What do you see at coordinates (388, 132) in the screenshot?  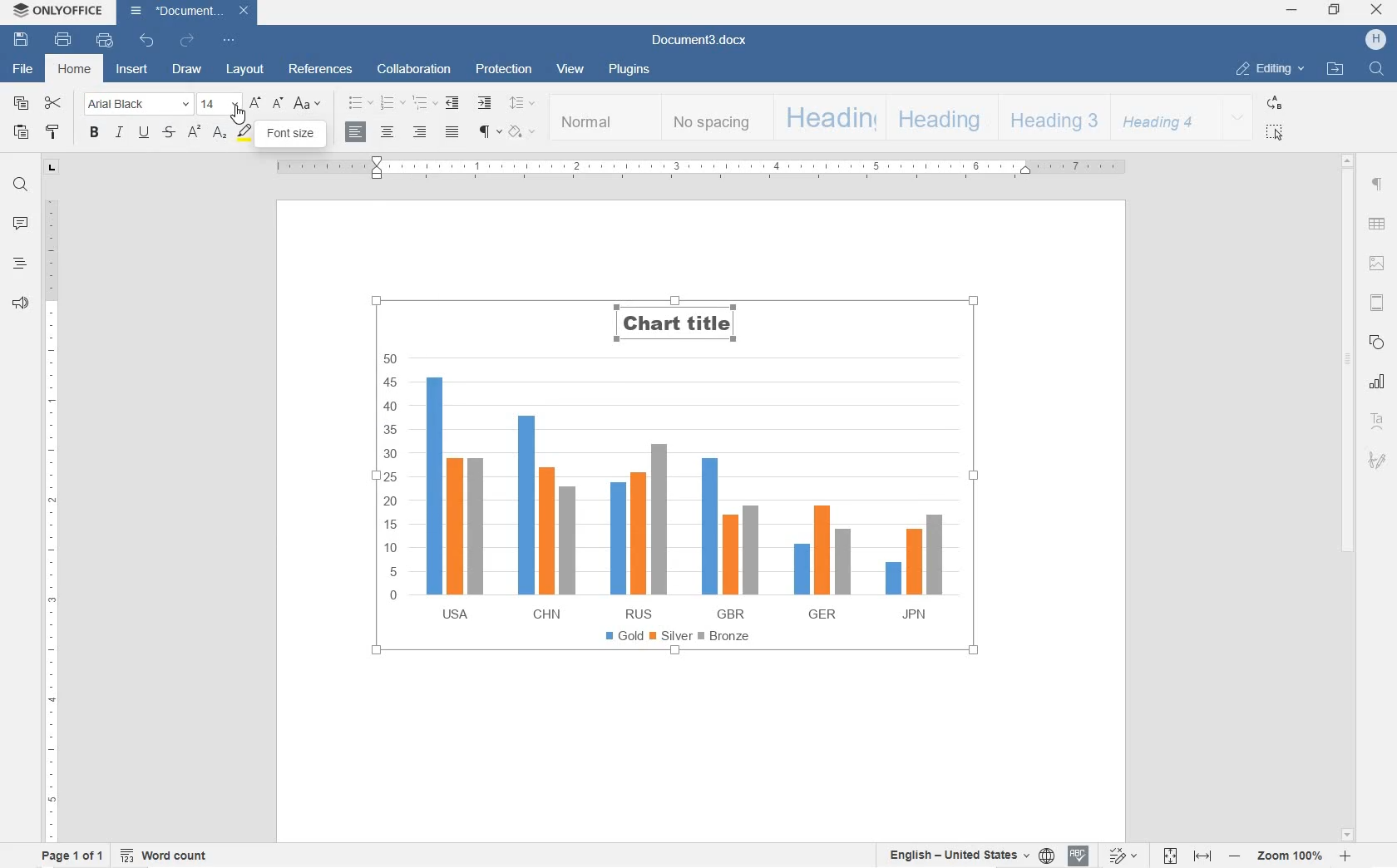 I see `CENTER ALIGN` at bounding box center [388, 132].